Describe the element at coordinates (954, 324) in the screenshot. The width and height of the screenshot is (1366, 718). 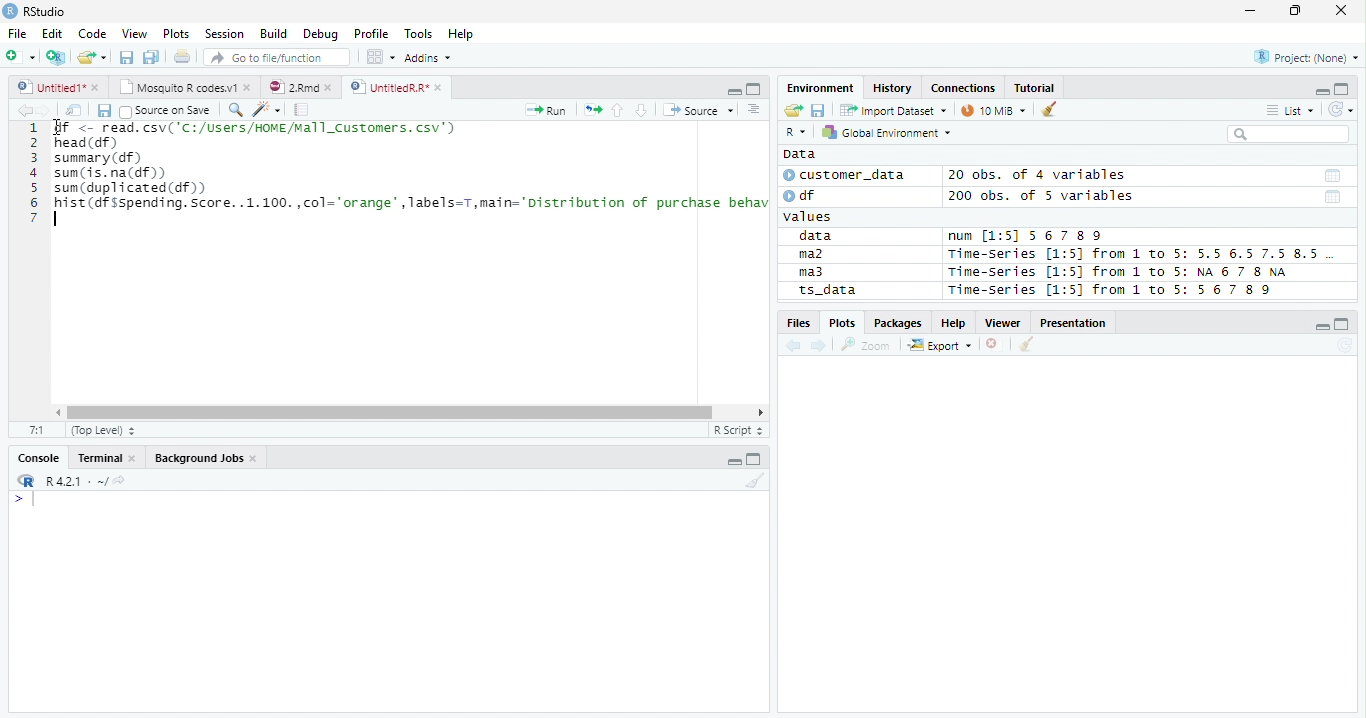
I see `Help` at that location.